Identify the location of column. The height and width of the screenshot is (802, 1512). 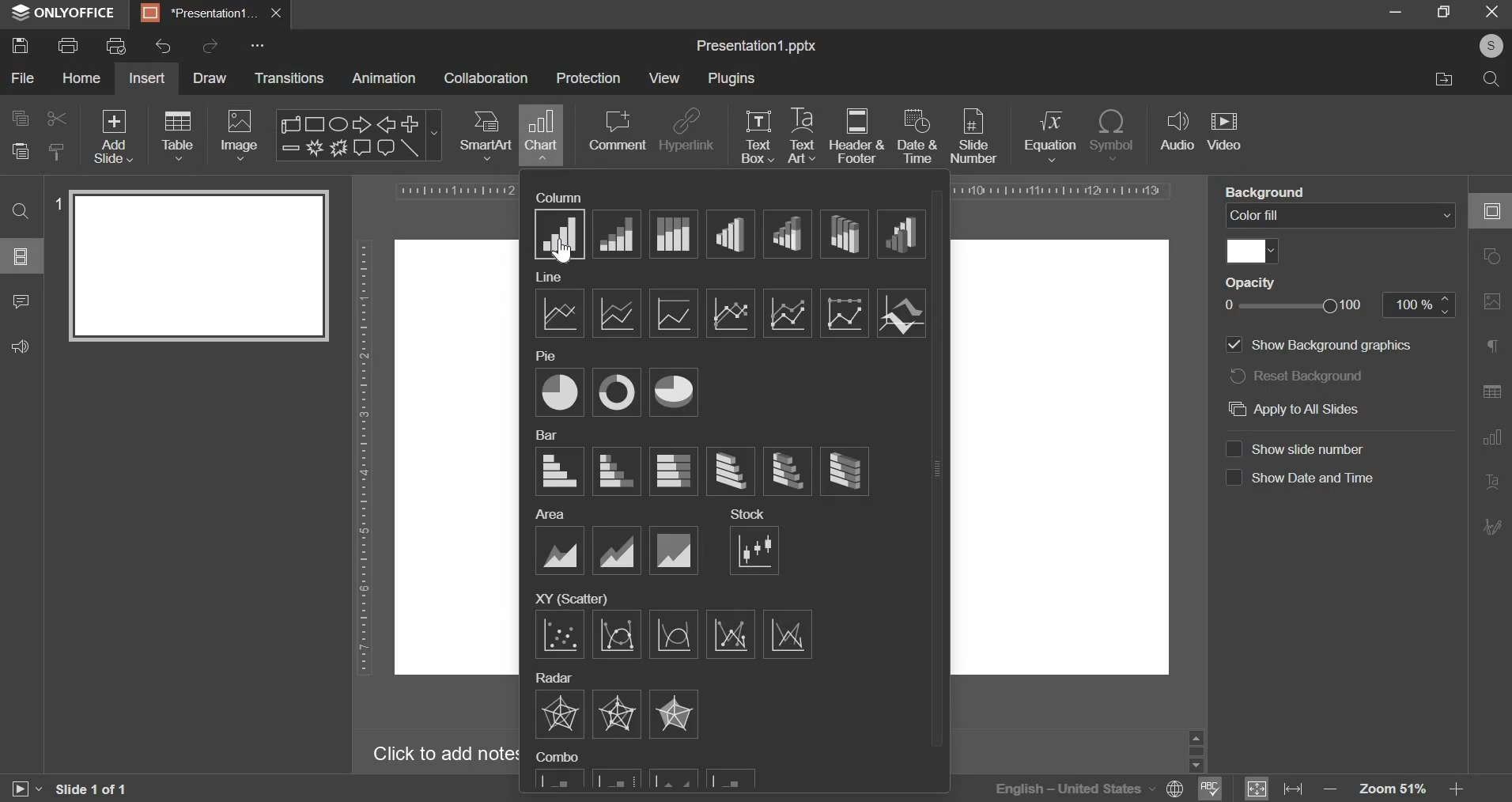
(561, 196).